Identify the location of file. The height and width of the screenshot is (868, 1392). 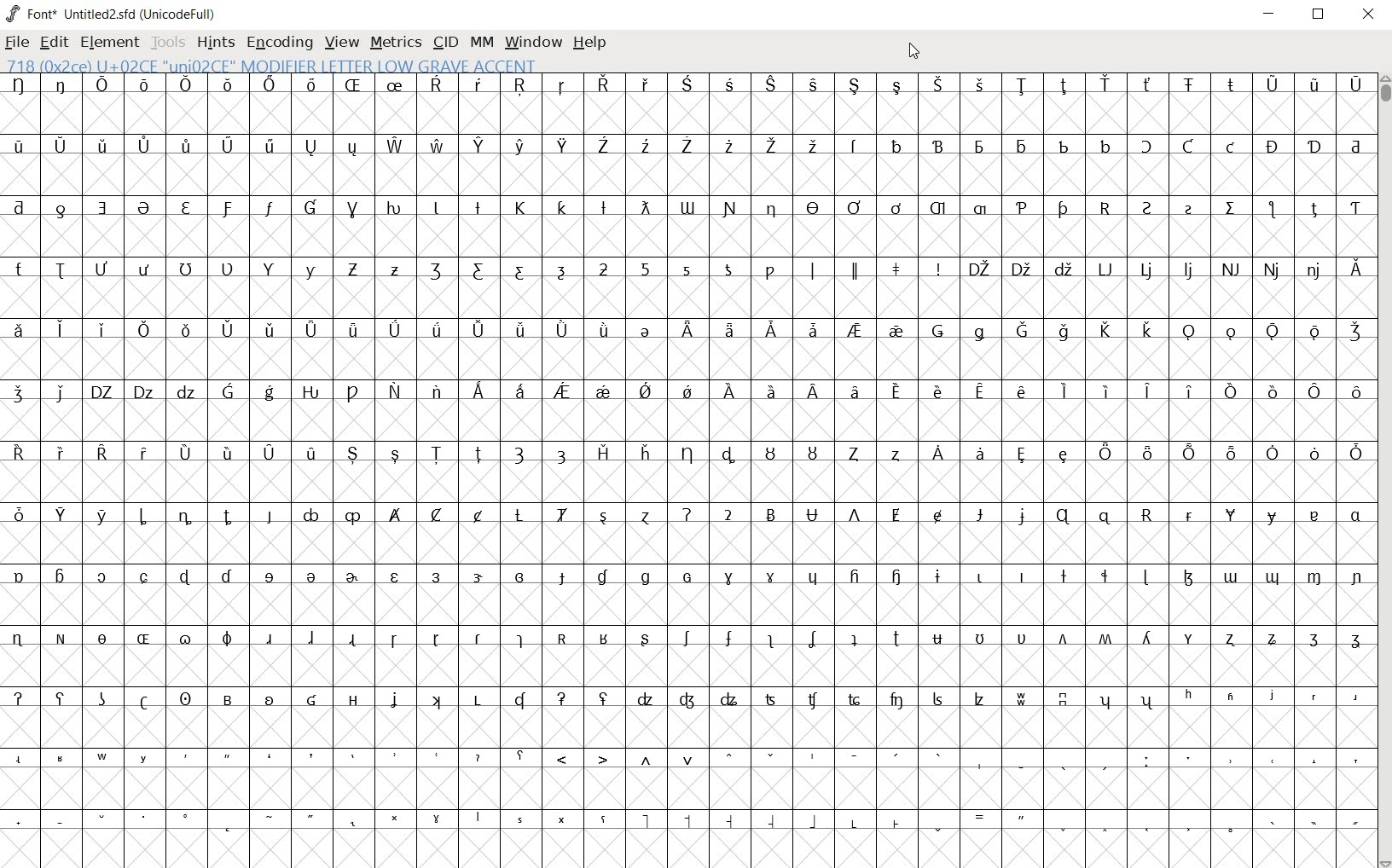
(17, 44).